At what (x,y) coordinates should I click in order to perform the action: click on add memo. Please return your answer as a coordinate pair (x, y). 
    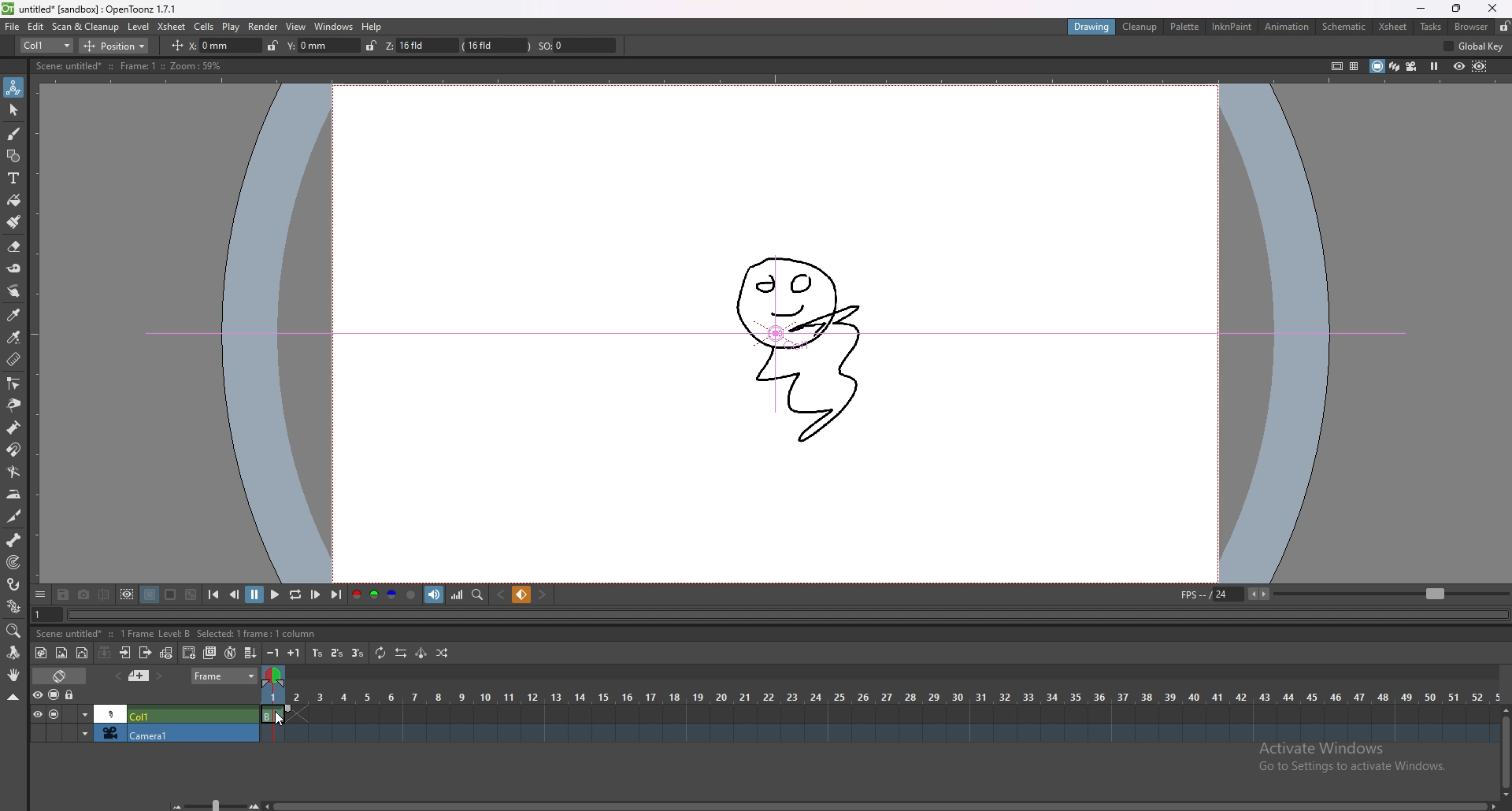
    Looking at the image, I should click on (139, 676).